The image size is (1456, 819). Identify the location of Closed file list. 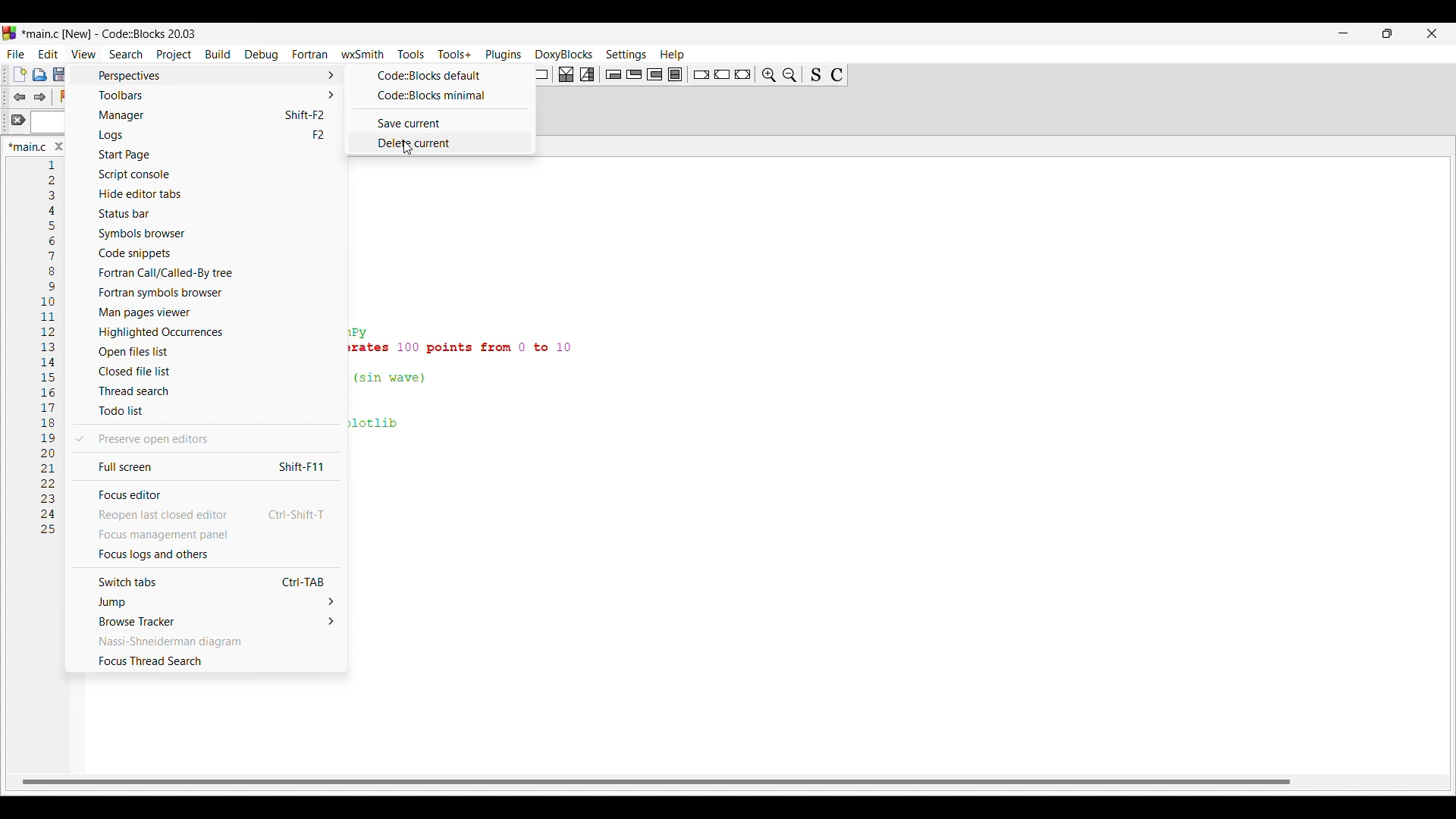
(205, 372).